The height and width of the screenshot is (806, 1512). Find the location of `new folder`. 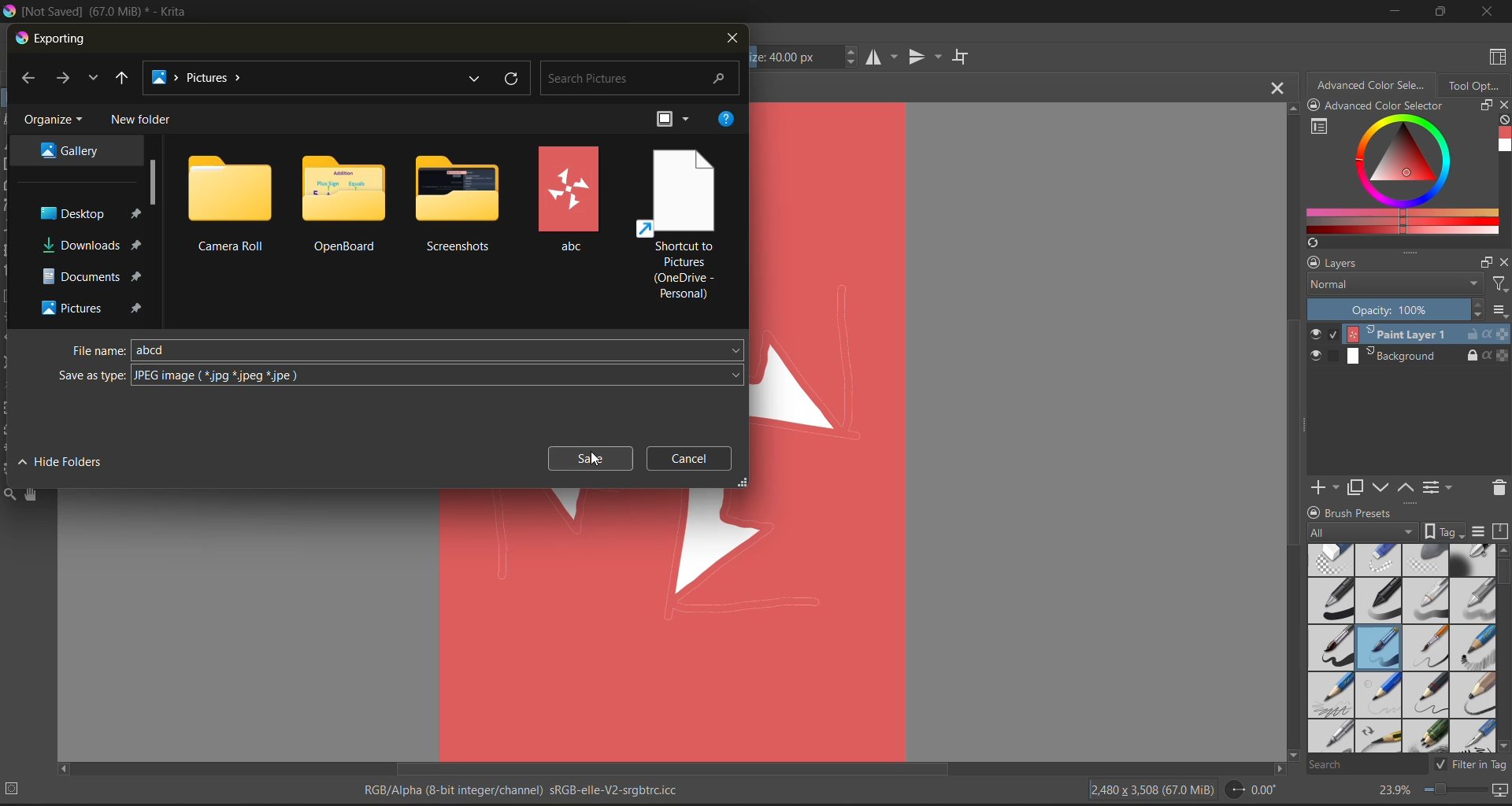

new folder is located at coordinates (144, 120).